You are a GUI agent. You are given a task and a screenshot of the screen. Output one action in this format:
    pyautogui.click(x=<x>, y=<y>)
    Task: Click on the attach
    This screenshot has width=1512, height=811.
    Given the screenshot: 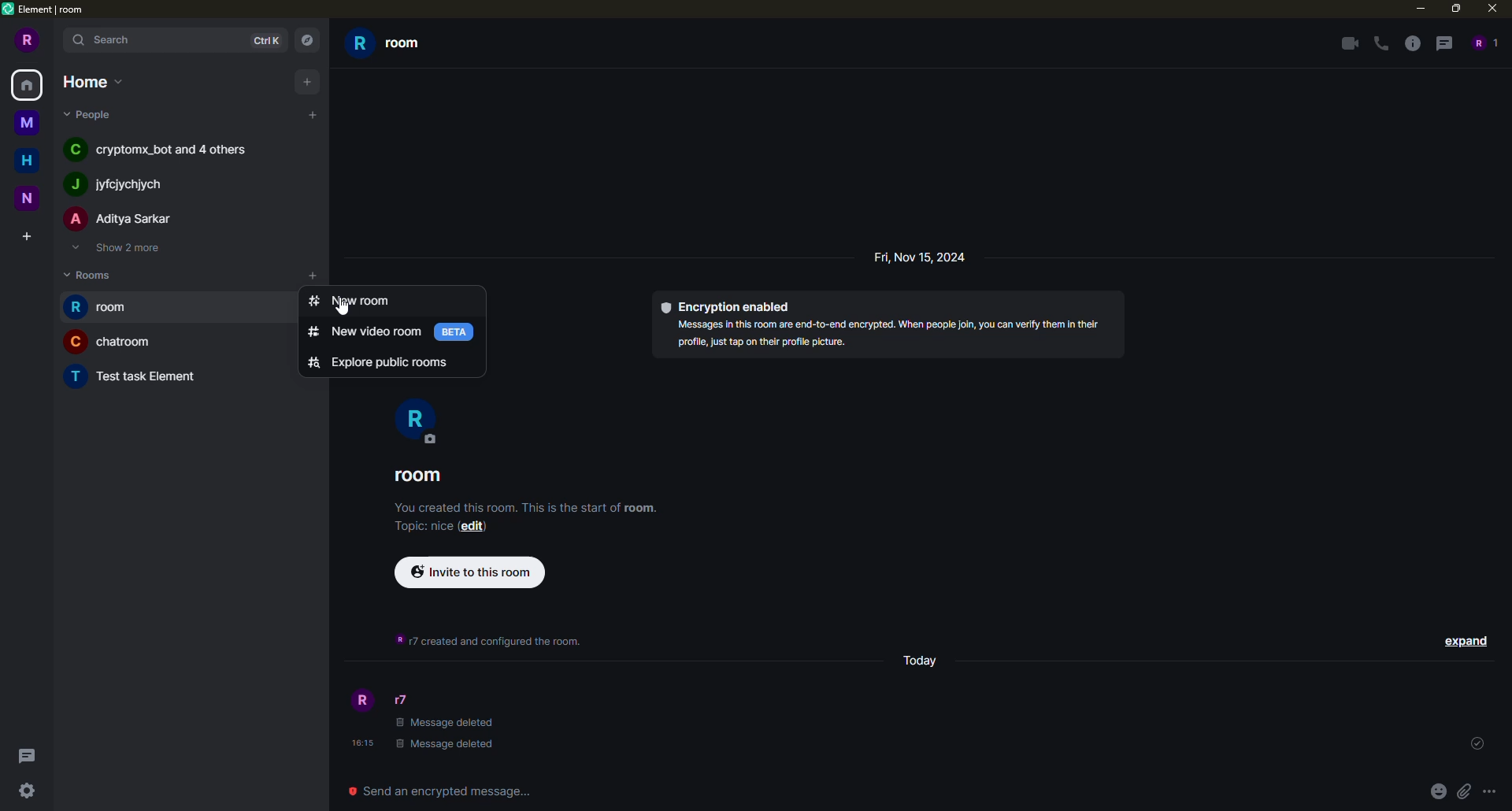 What is the action you would take?
    pyautogui.click(x=1465, y=791)
    